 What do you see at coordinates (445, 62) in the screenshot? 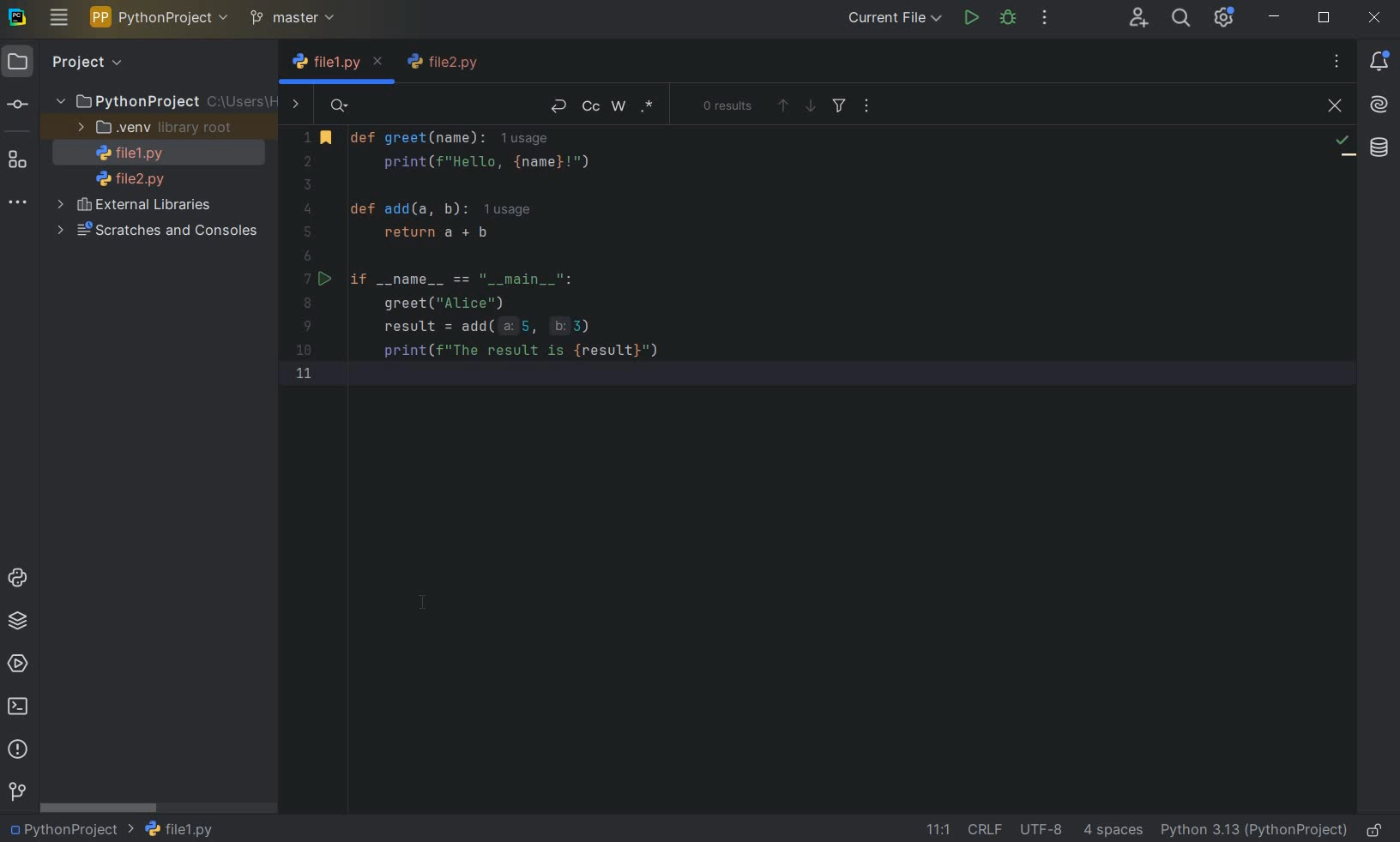
I see `FILE NAME 2` at bounding box center [445, 62].